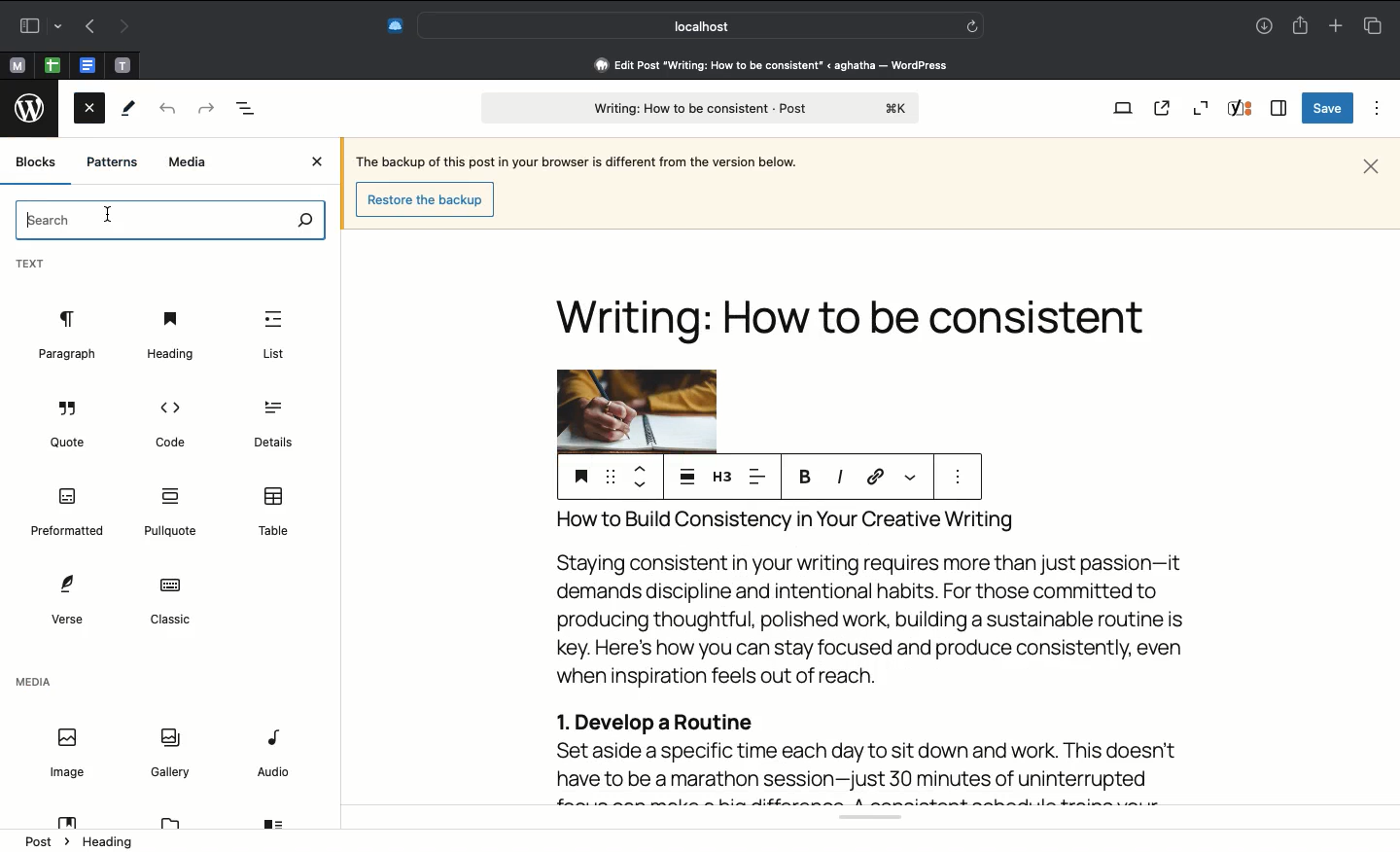 The width and height of the screenshot is (1400, 852). I want to click on Bold, so click(806, 476).